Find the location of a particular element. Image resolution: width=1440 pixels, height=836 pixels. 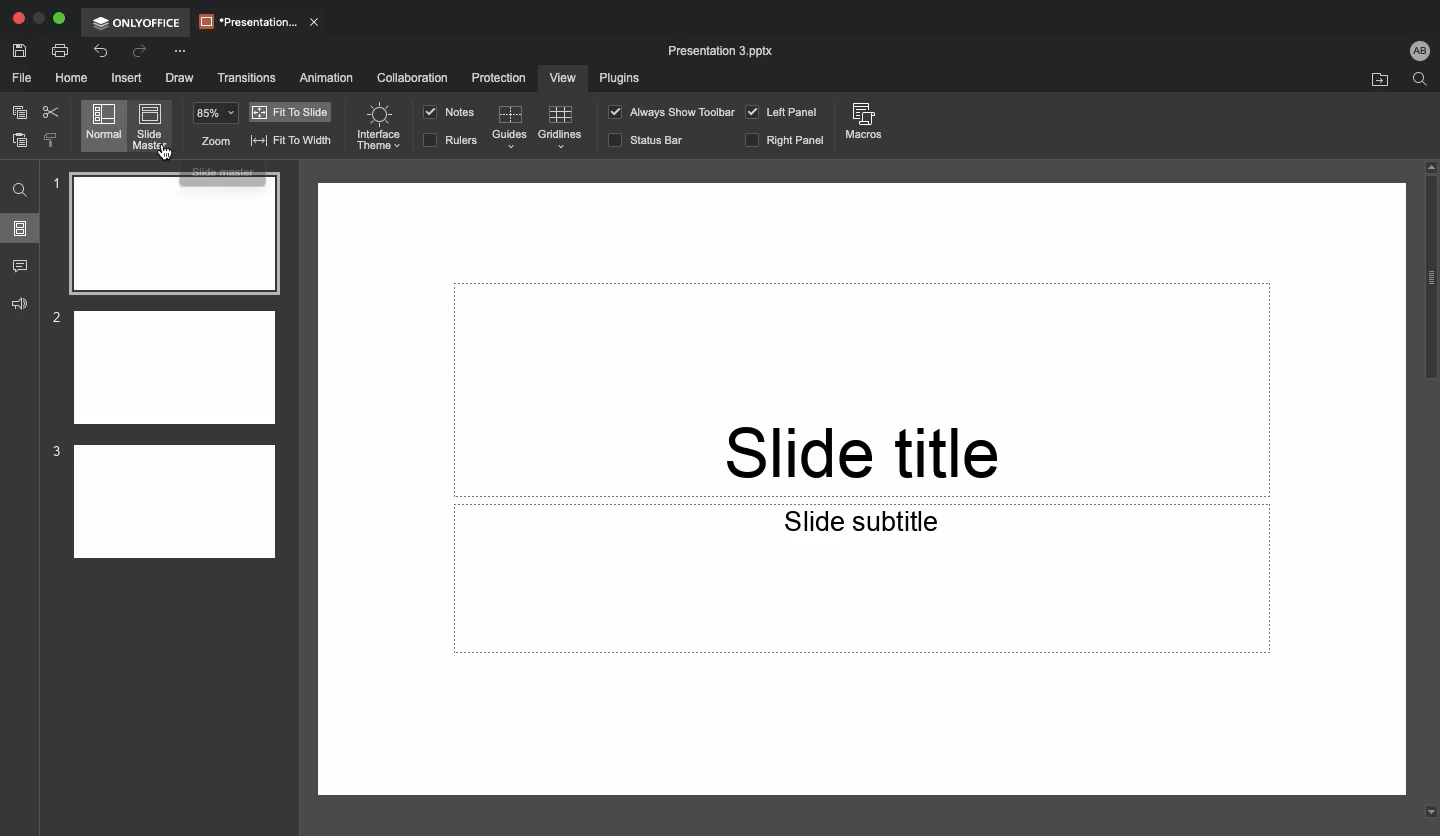

Find is located at coordinates (1420, 79).